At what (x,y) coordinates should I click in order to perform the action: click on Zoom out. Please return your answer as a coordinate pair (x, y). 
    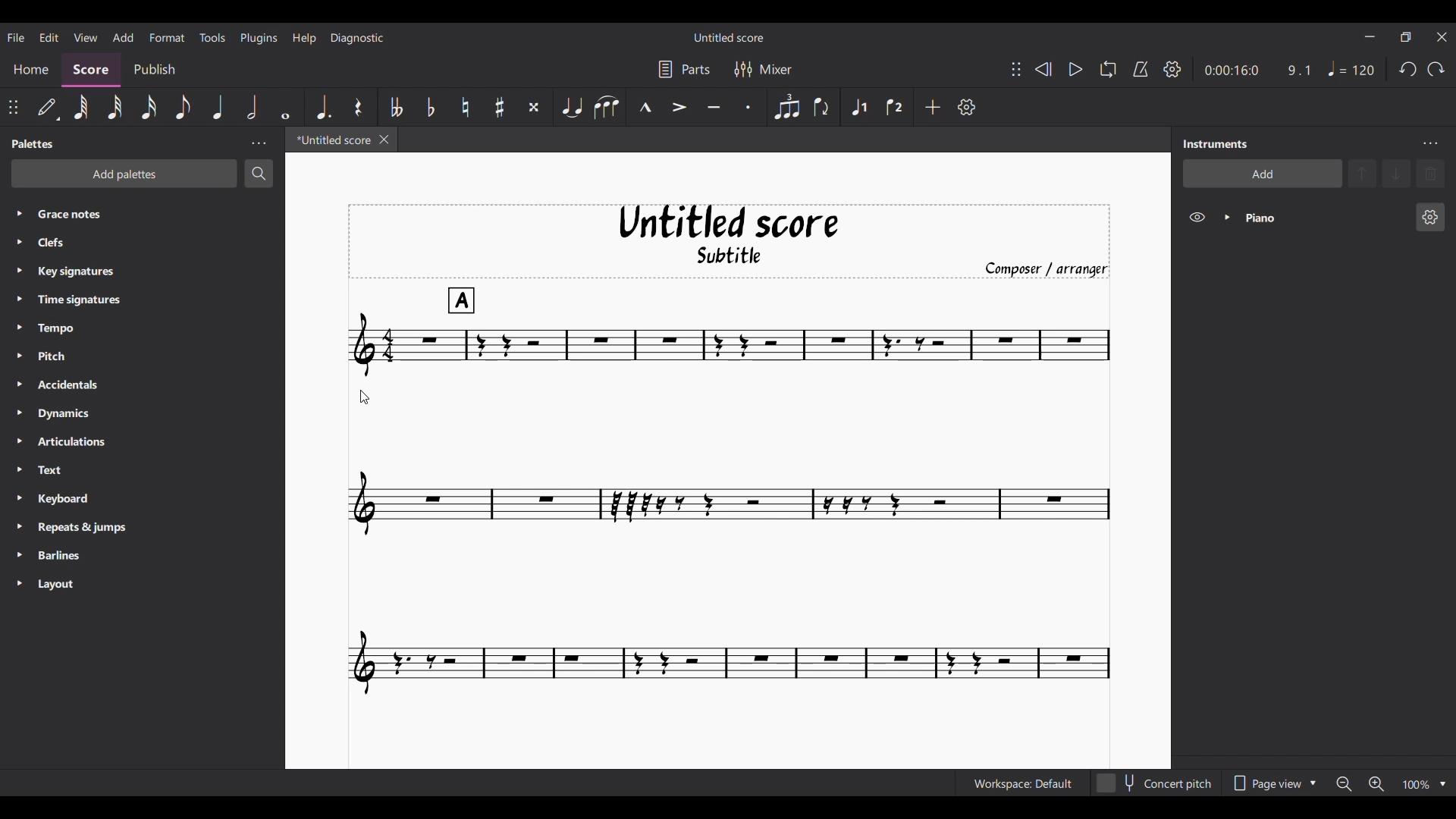
    Looking at the image, I should click on (1344, 785).